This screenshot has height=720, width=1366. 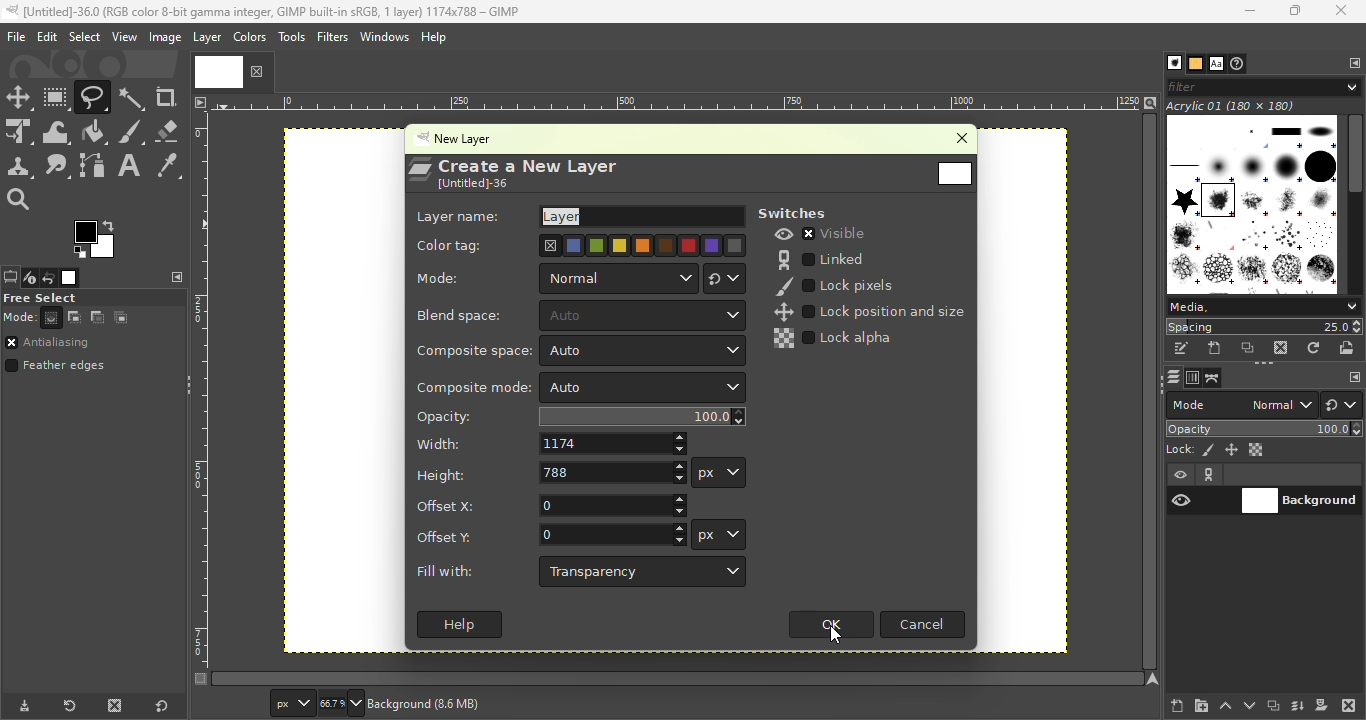 I want to click on Fuzzy select tool, so click(x=134, y=97).